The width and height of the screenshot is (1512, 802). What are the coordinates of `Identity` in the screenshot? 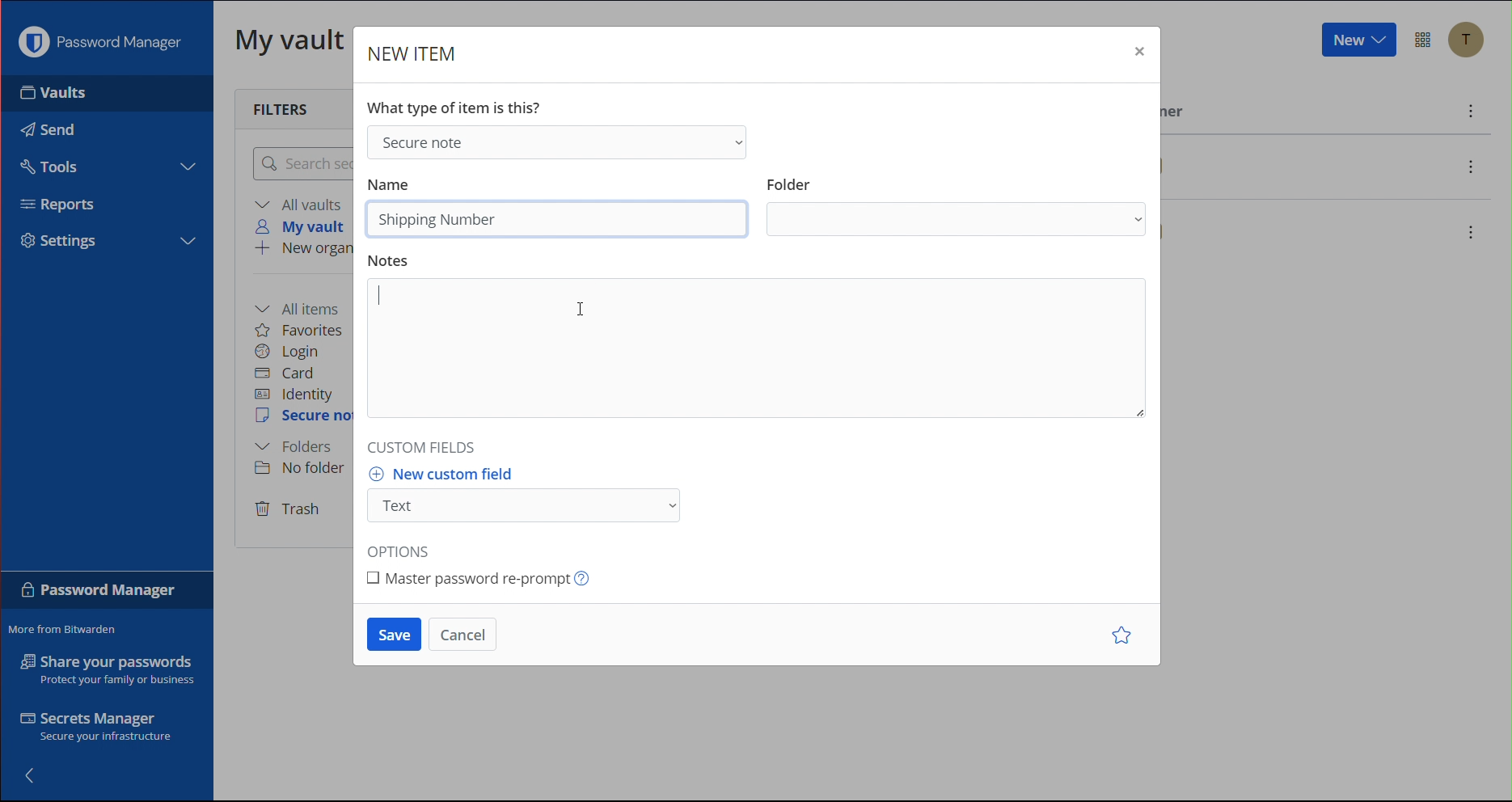 It's located at (298, 395).